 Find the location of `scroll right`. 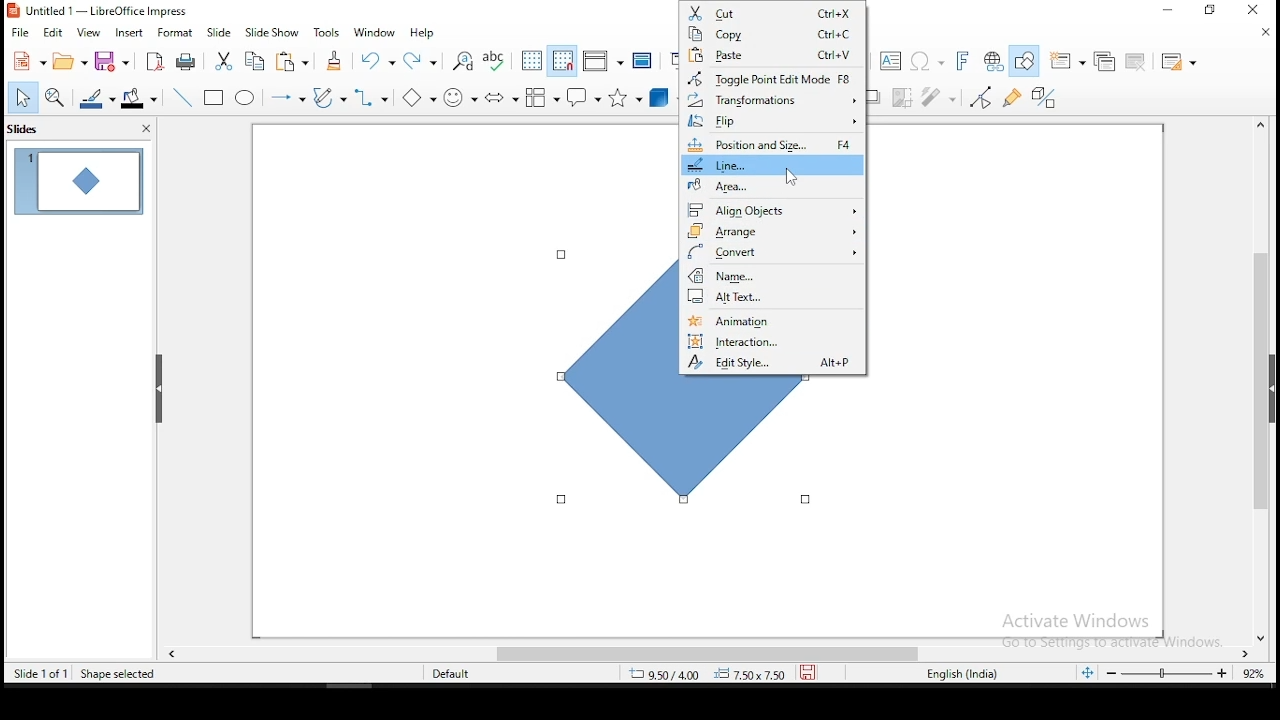

scroll right is located at coordinates (172, 651).